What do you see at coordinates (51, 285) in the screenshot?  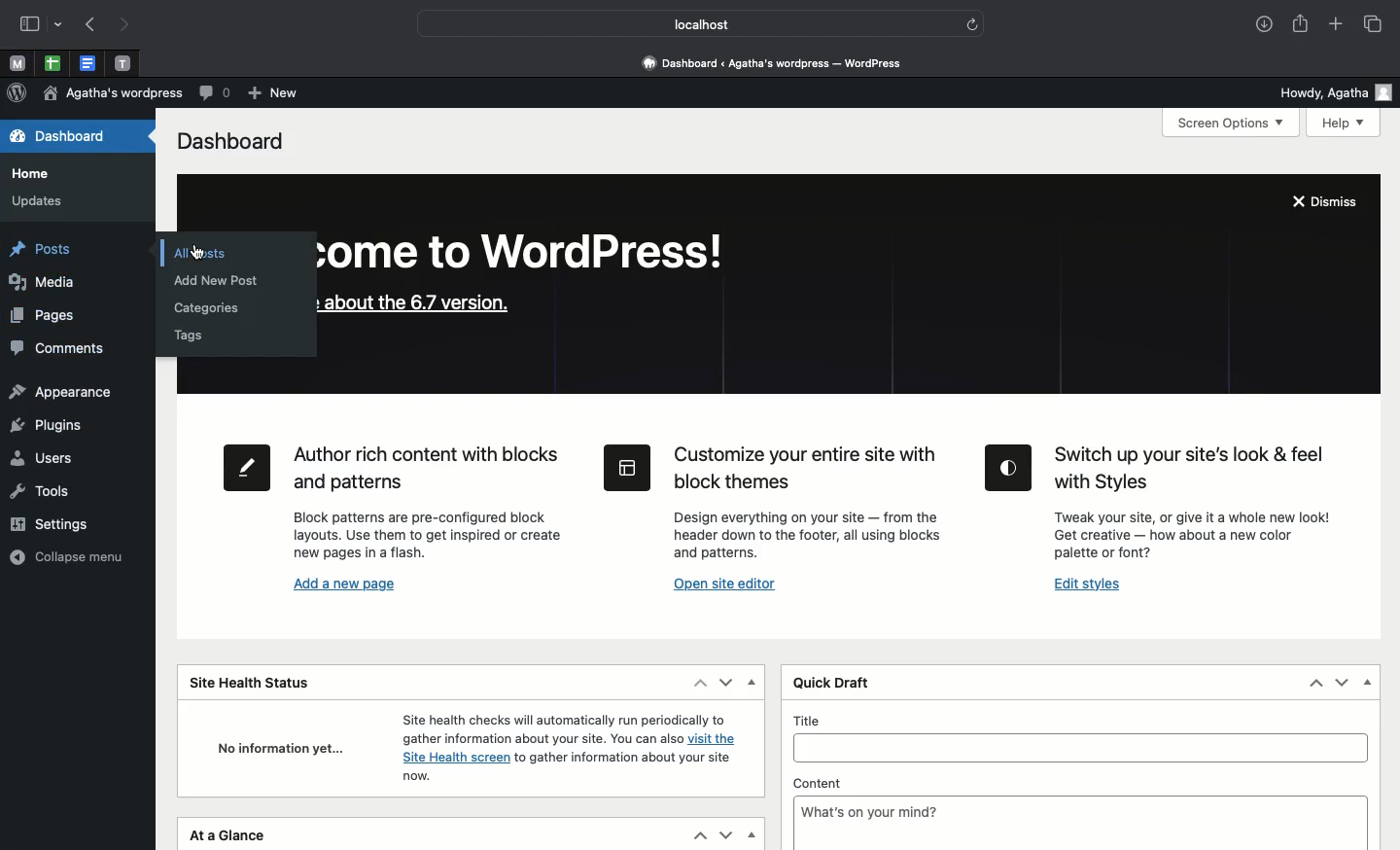 I see `Media` at bounding box center [51, 285].